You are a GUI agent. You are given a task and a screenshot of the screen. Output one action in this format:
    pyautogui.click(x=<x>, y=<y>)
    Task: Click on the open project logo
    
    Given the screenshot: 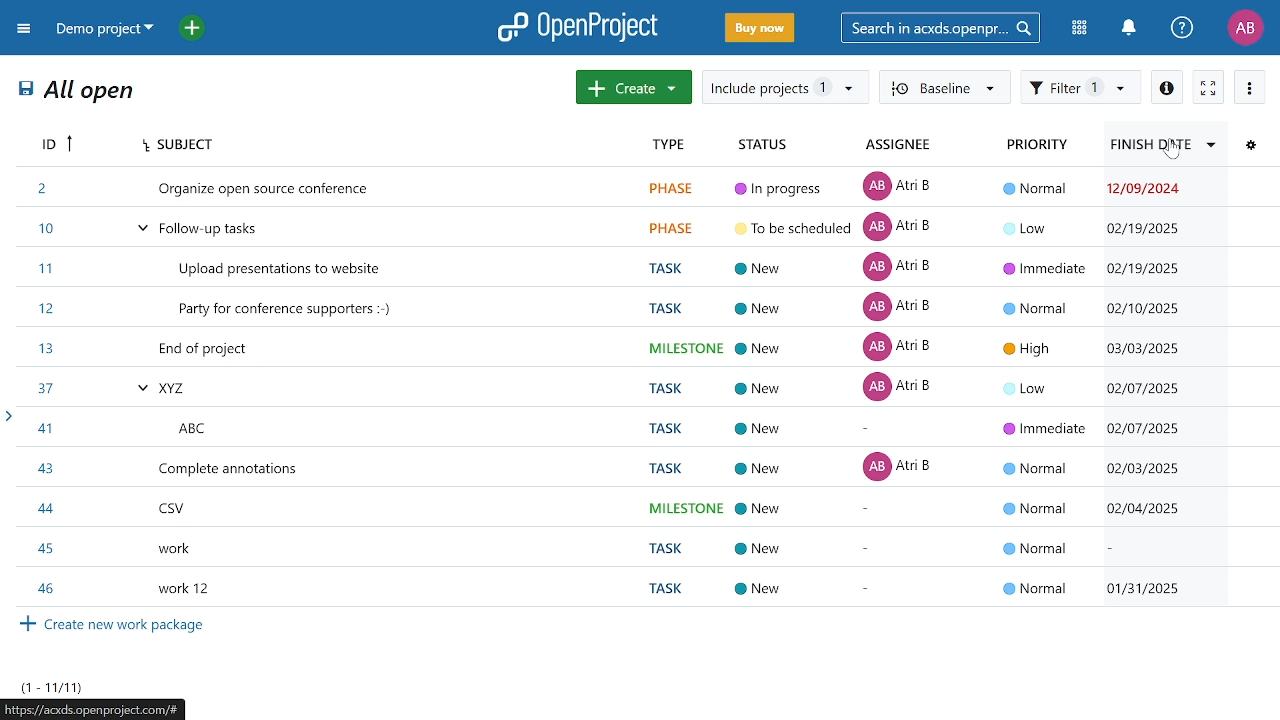 What is the action you would take?
    pyautogui.click(x=578, y=26)
    